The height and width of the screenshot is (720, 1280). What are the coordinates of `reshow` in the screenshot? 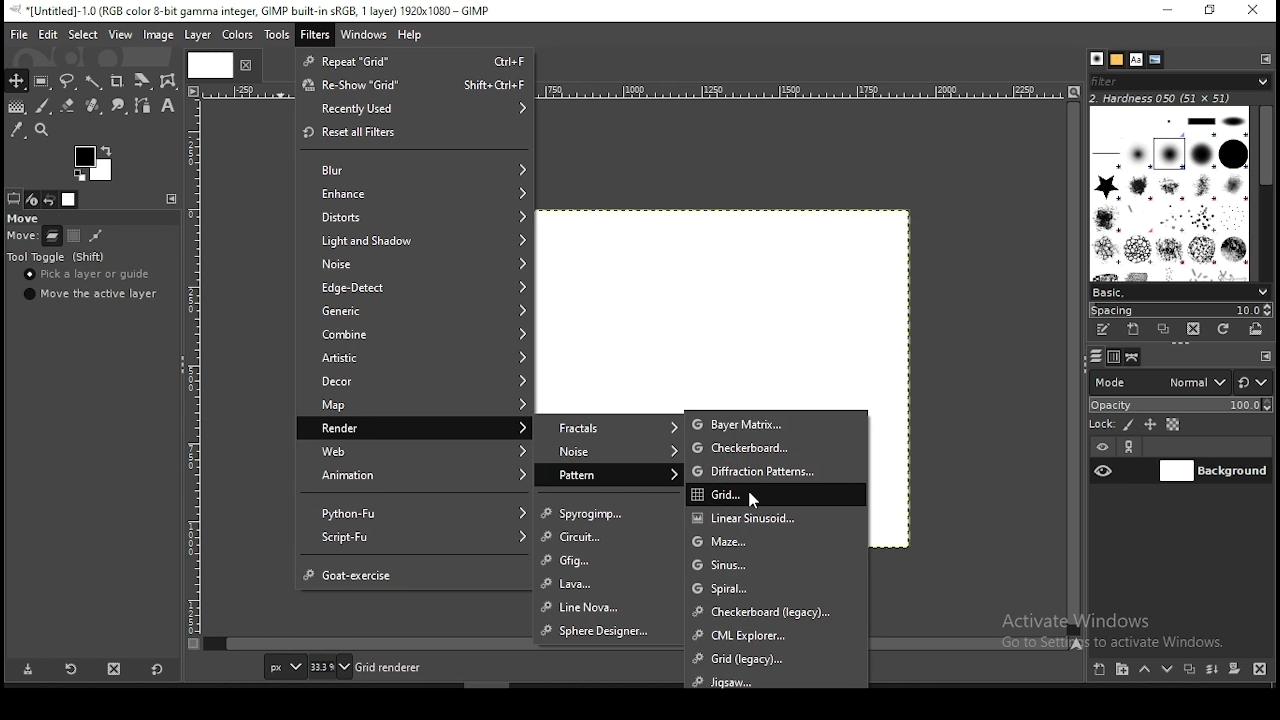 It's located at (416, 84).